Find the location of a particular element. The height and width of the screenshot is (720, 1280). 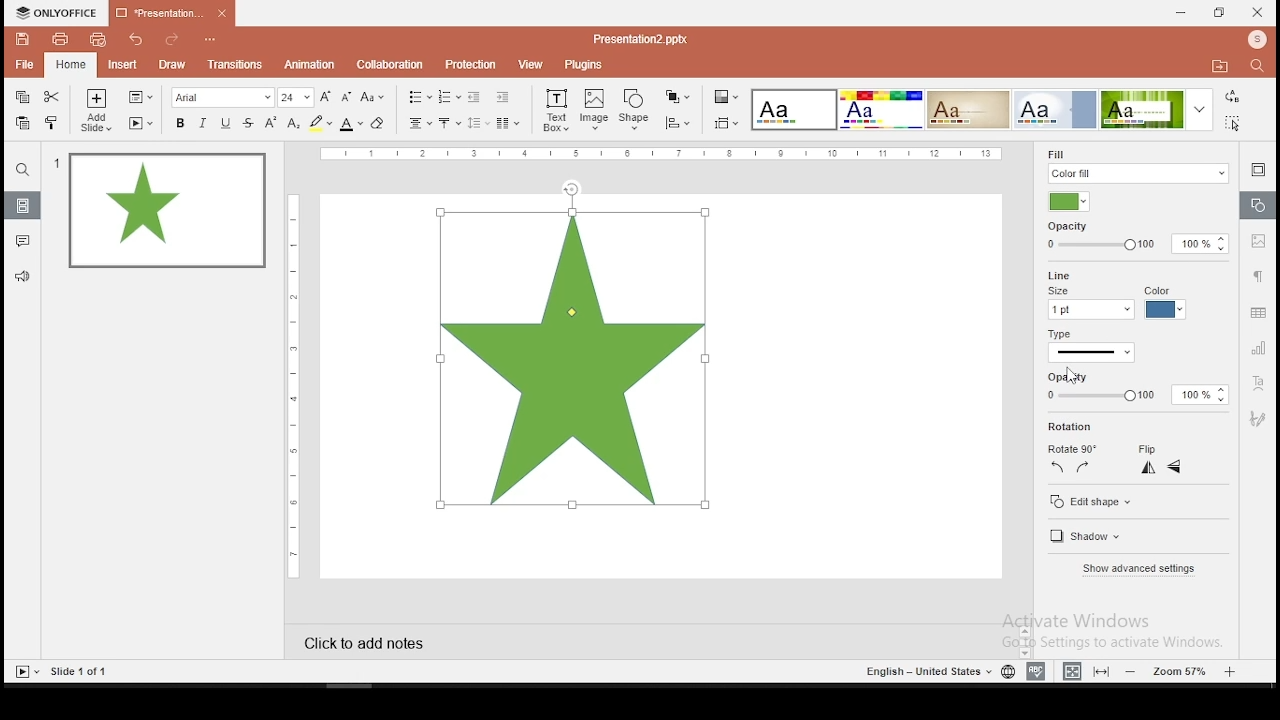

fil type is located at coordinates (1138, 166).